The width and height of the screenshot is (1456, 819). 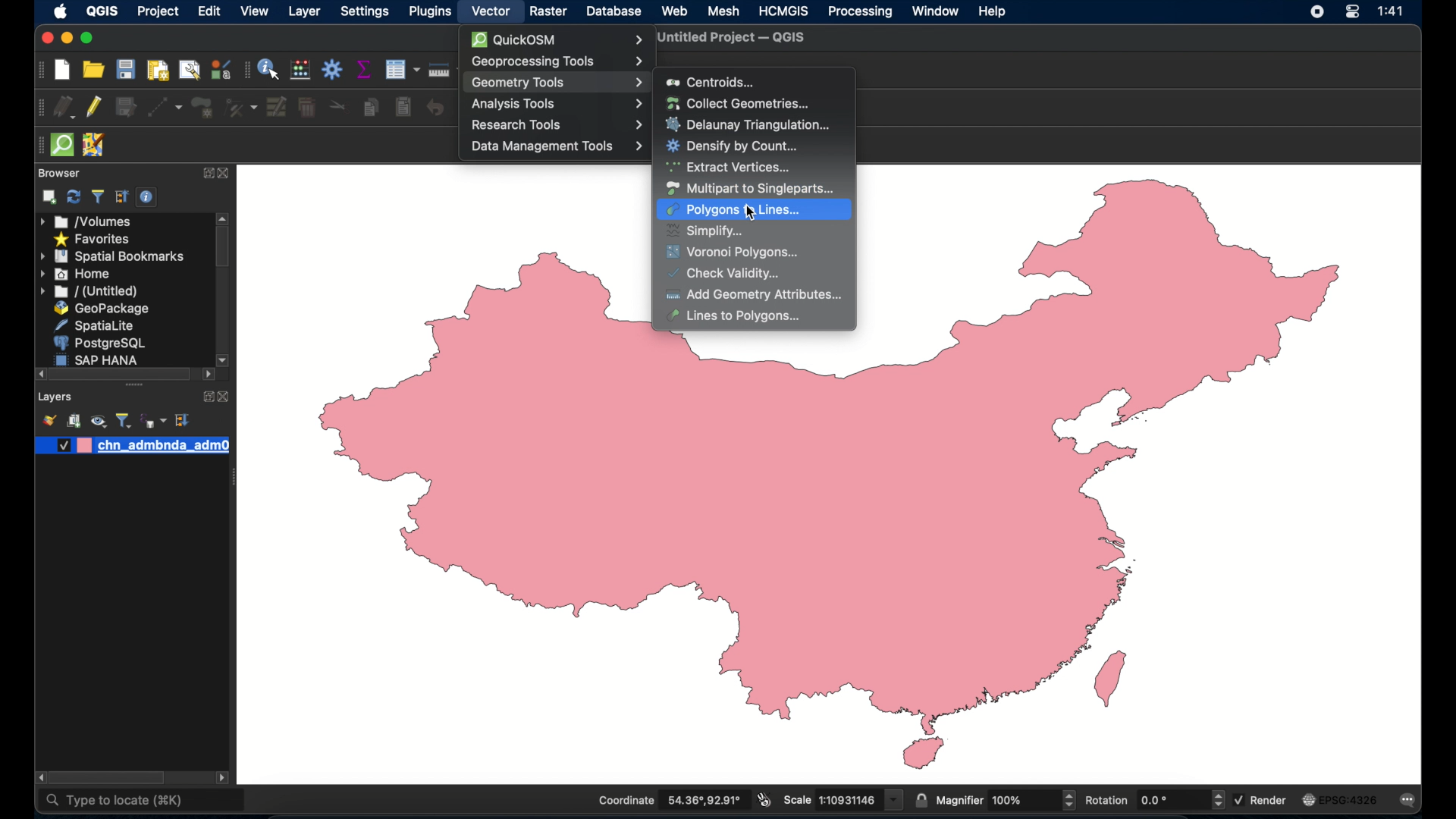 I want to click on browser, so click(x=59, y=173).